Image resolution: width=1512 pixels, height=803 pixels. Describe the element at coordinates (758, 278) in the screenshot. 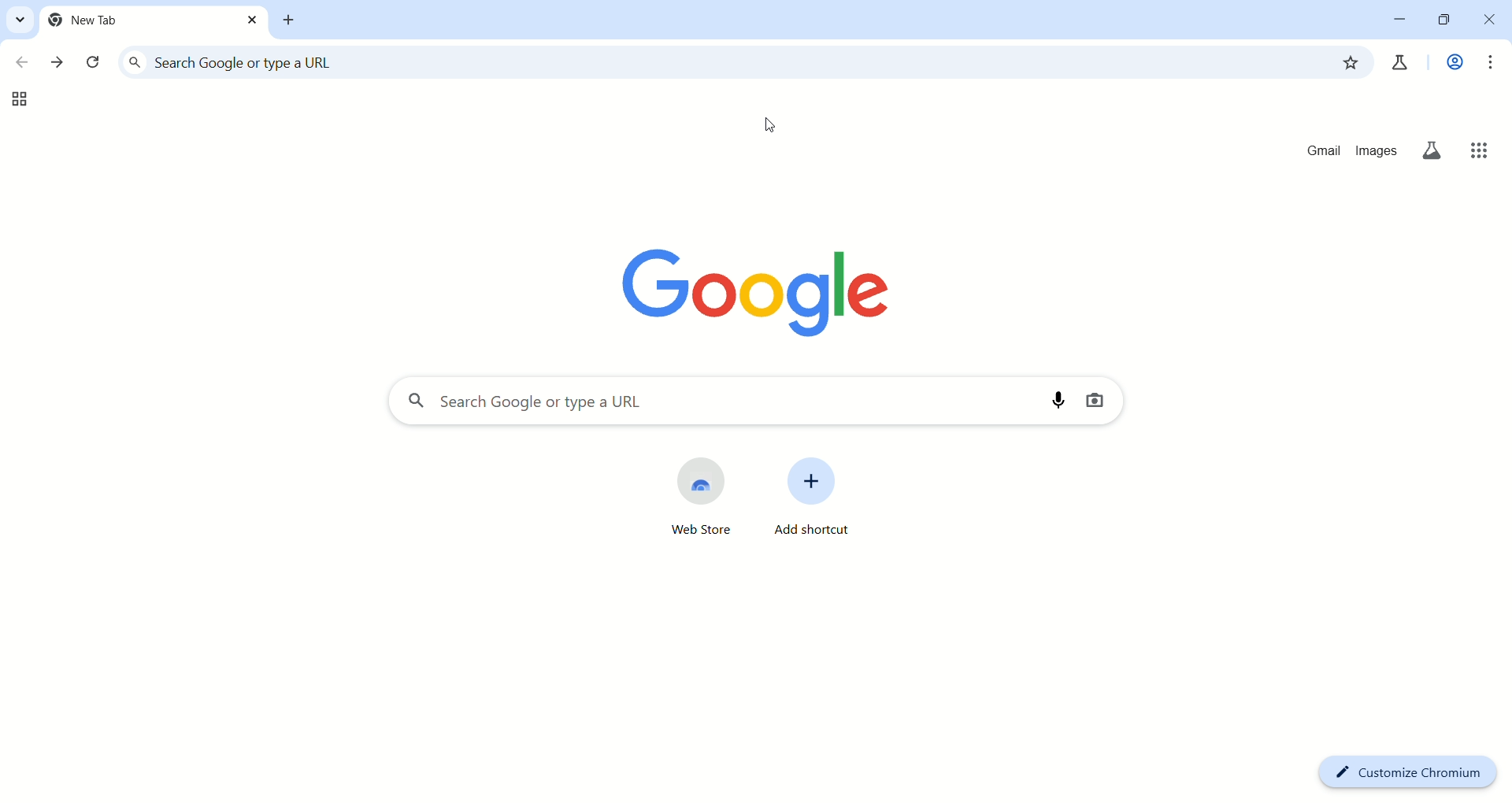

I see `google` at that location.